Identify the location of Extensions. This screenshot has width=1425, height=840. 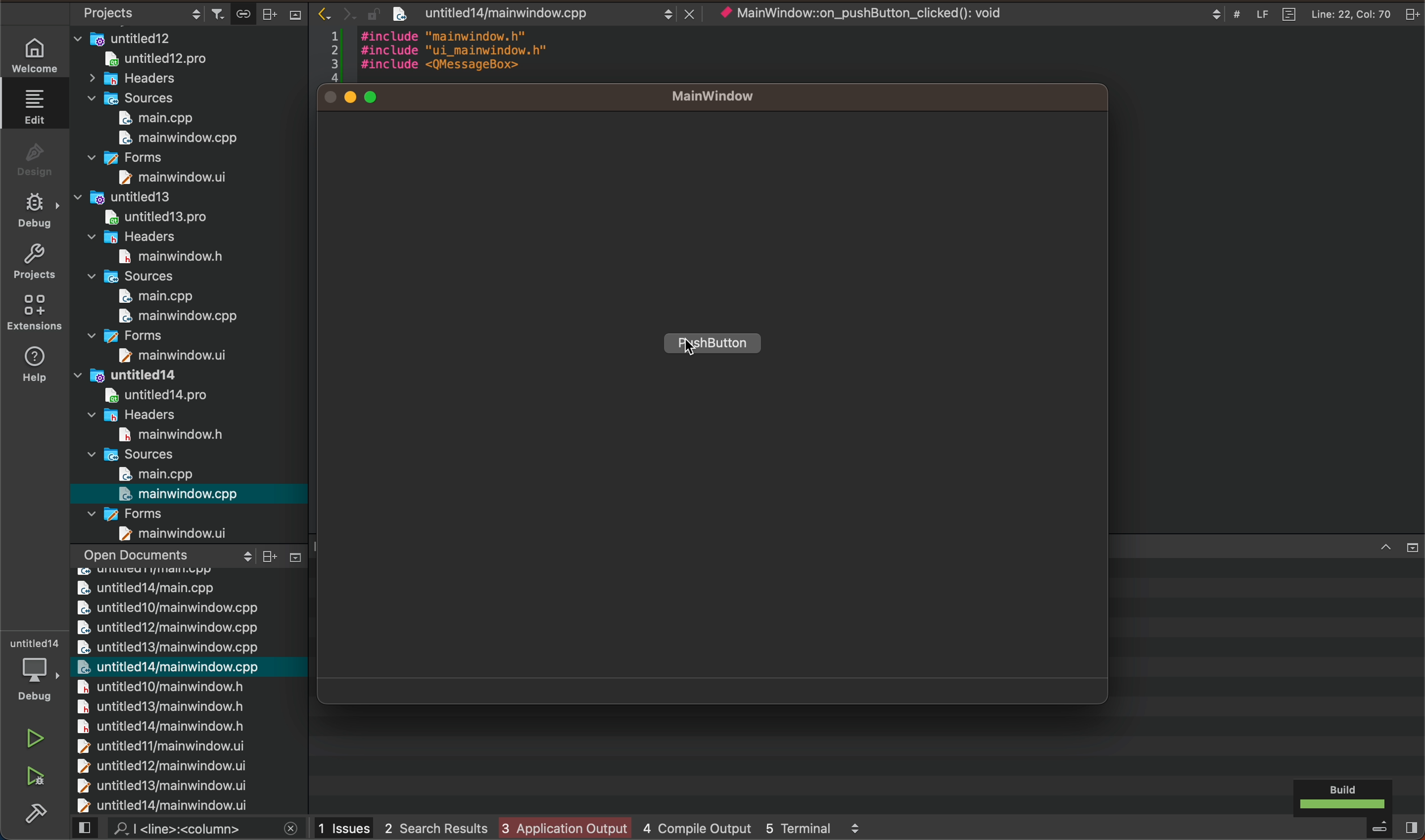
(31, 312).